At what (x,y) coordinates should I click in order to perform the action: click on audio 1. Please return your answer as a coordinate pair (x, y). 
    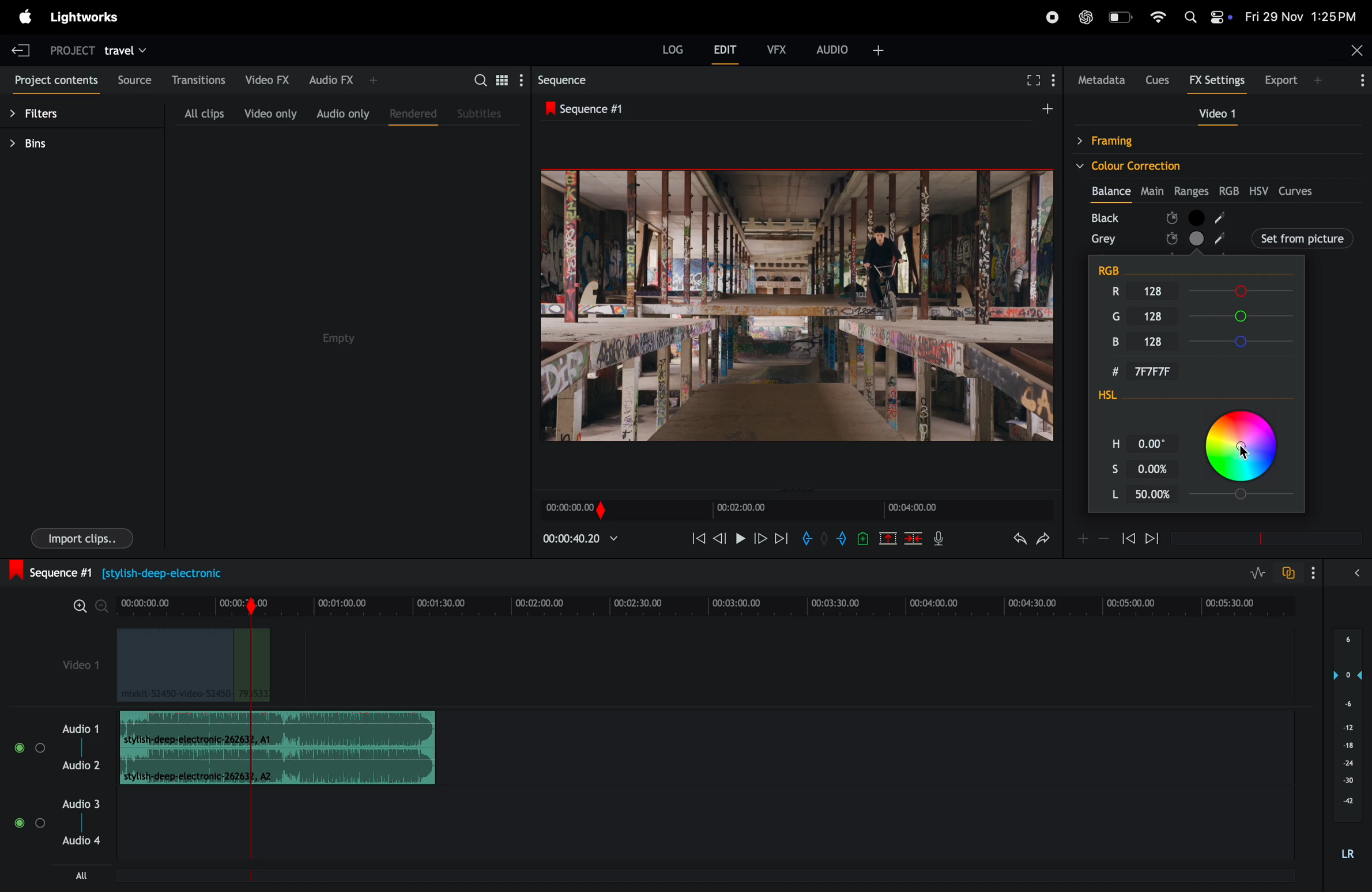
    Looking at the image, I should click on (78, 728).